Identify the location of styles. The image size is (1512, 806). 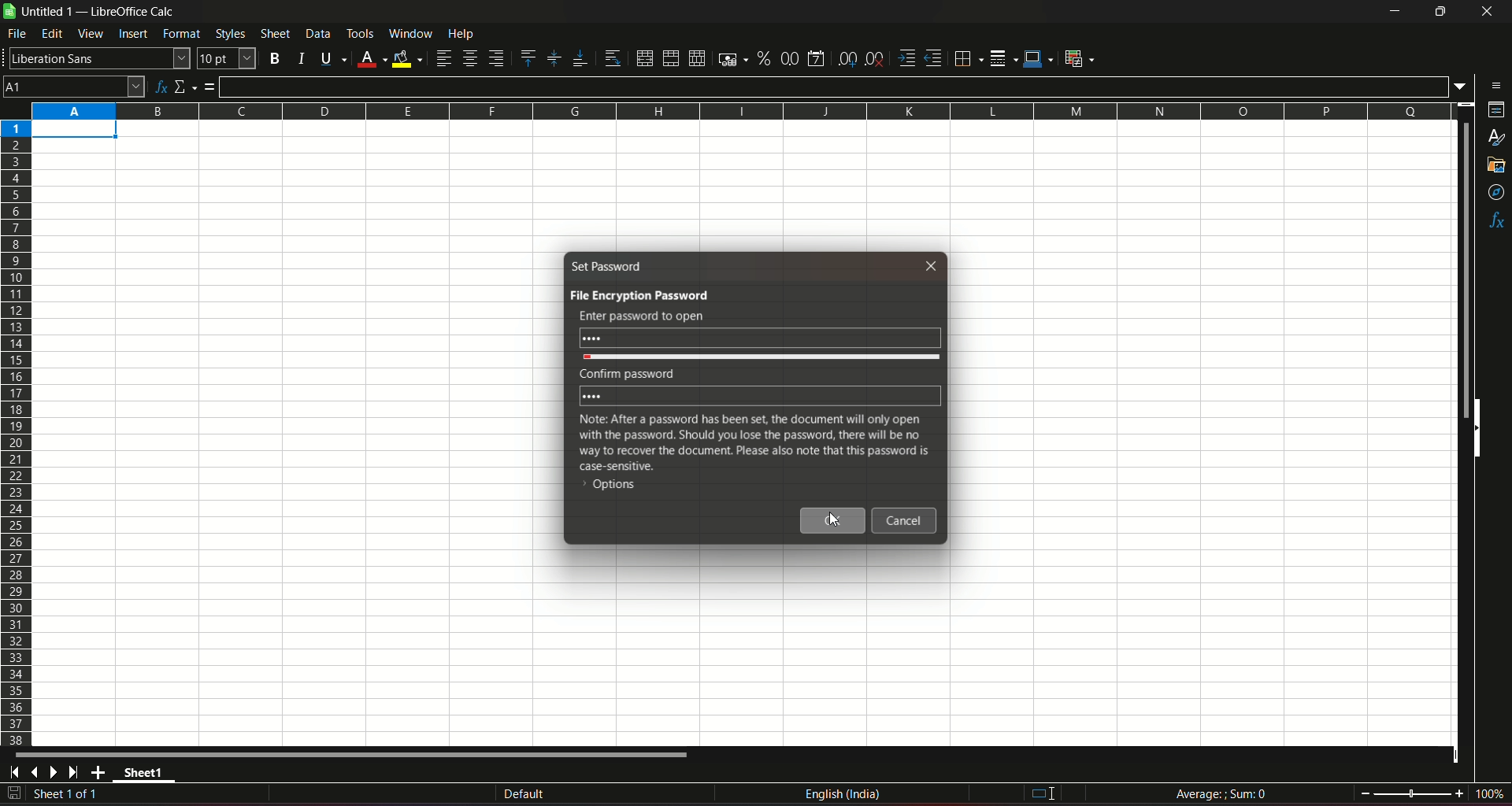
(1496, 139).